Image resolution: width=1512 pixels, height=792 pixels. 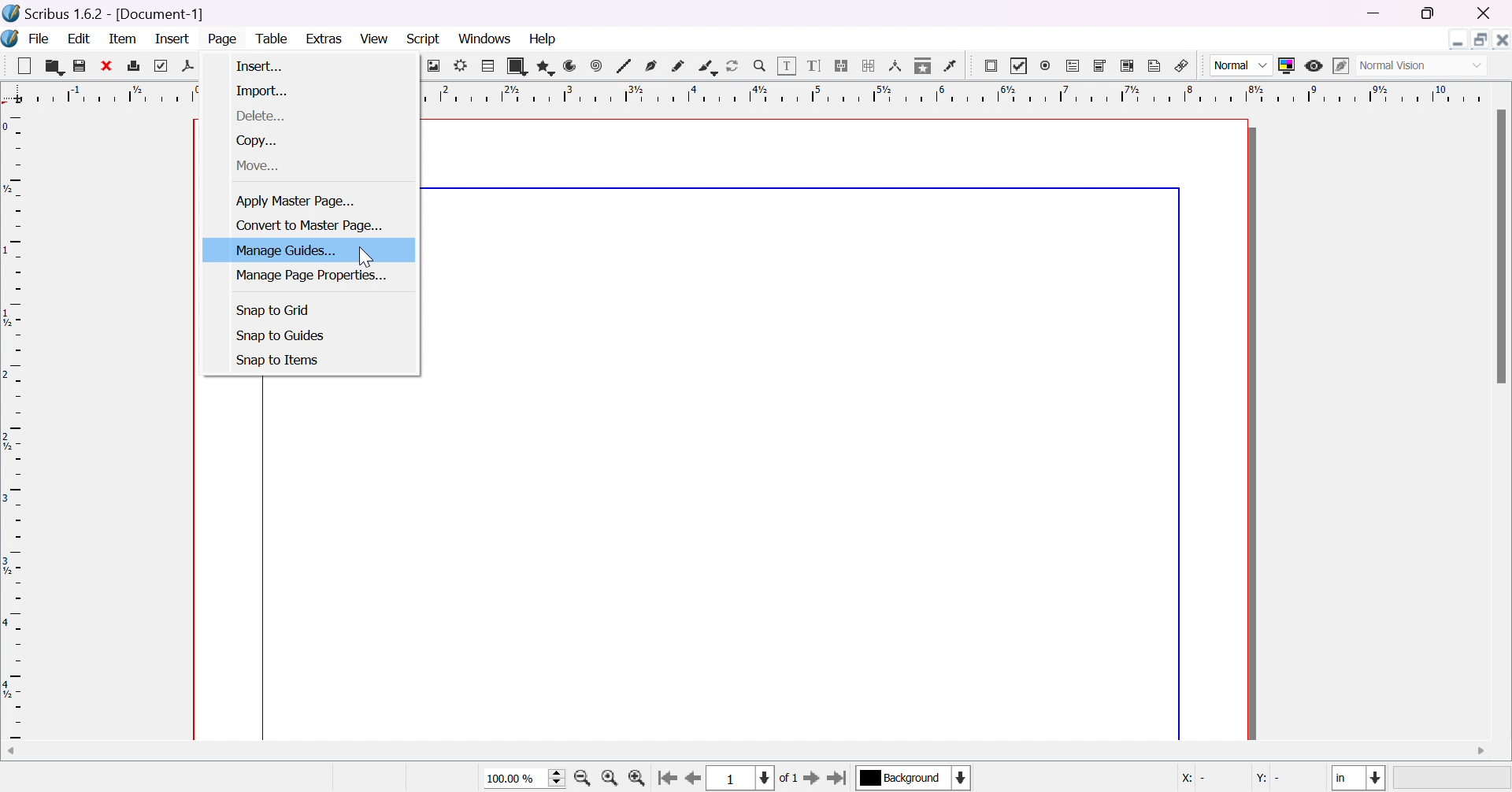 I want to click on Normal, so click(x=1240, y=65).